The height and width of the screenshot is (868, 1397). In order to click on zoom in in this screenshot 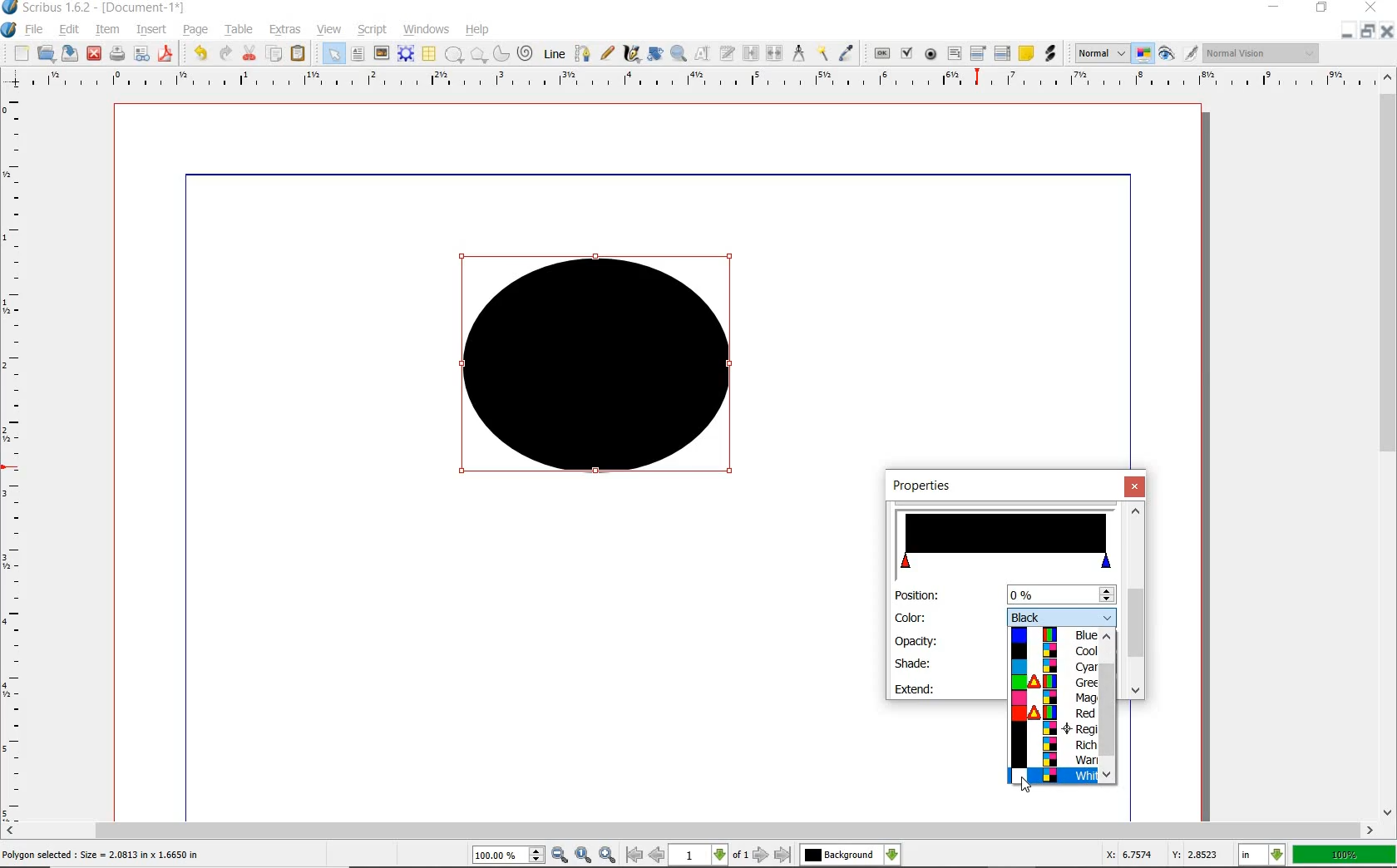, I will do `click(560, 856)`.